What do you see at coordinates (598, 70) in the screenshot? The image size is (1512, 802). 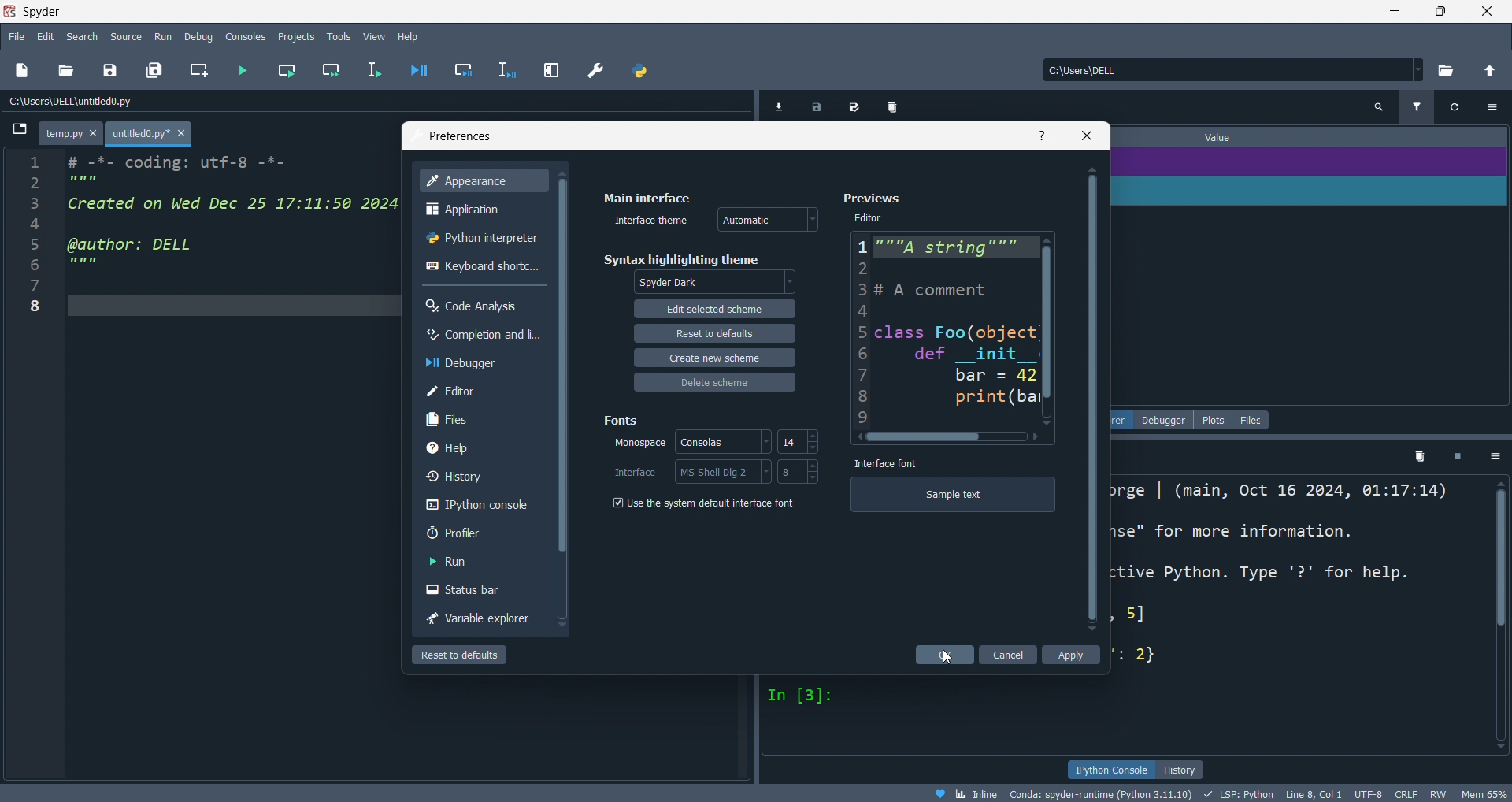 I see `preference` at bounding box center [598, 70].